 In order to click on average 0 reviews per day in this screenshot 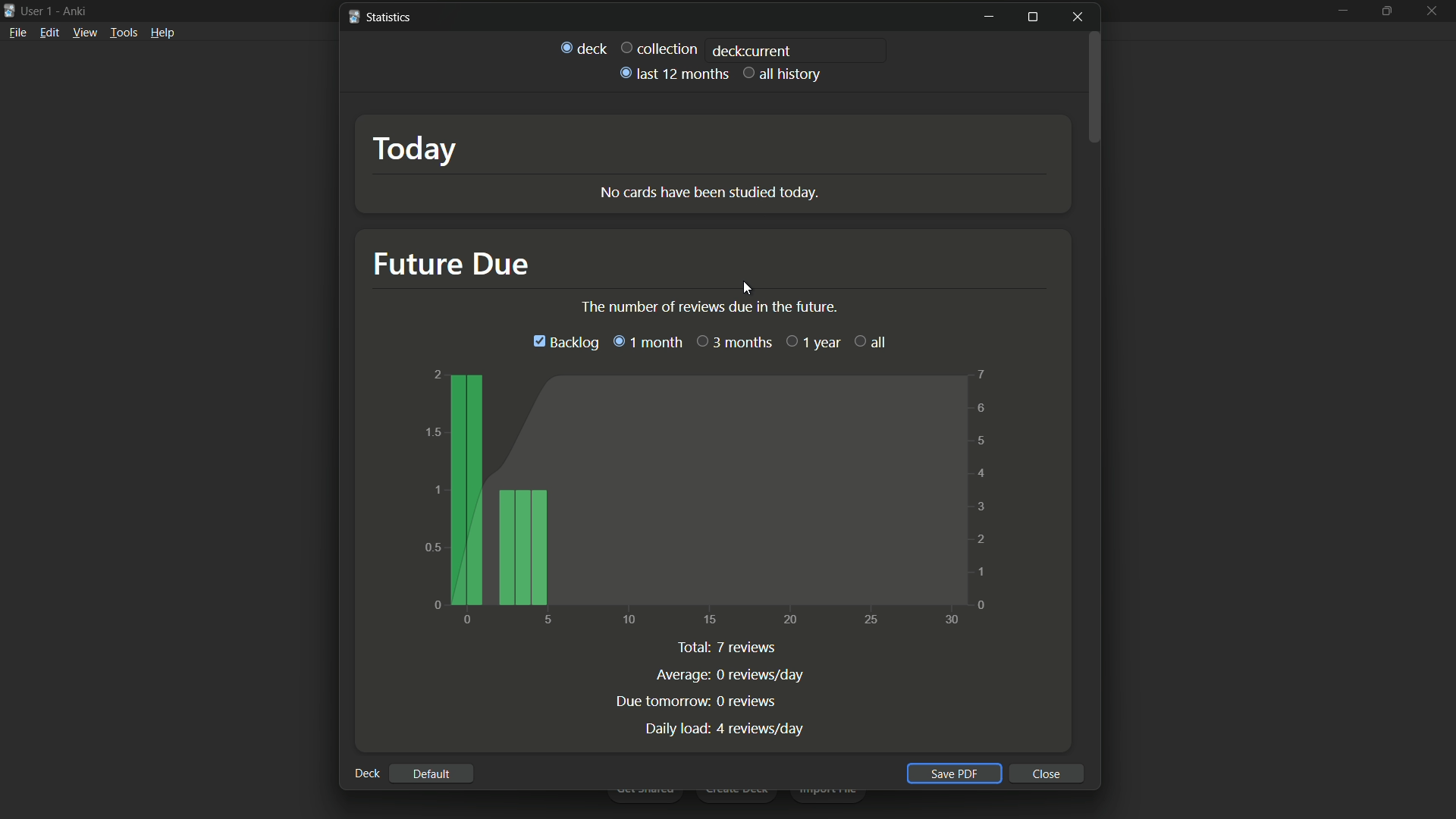, I will do `click(731, 675)`.